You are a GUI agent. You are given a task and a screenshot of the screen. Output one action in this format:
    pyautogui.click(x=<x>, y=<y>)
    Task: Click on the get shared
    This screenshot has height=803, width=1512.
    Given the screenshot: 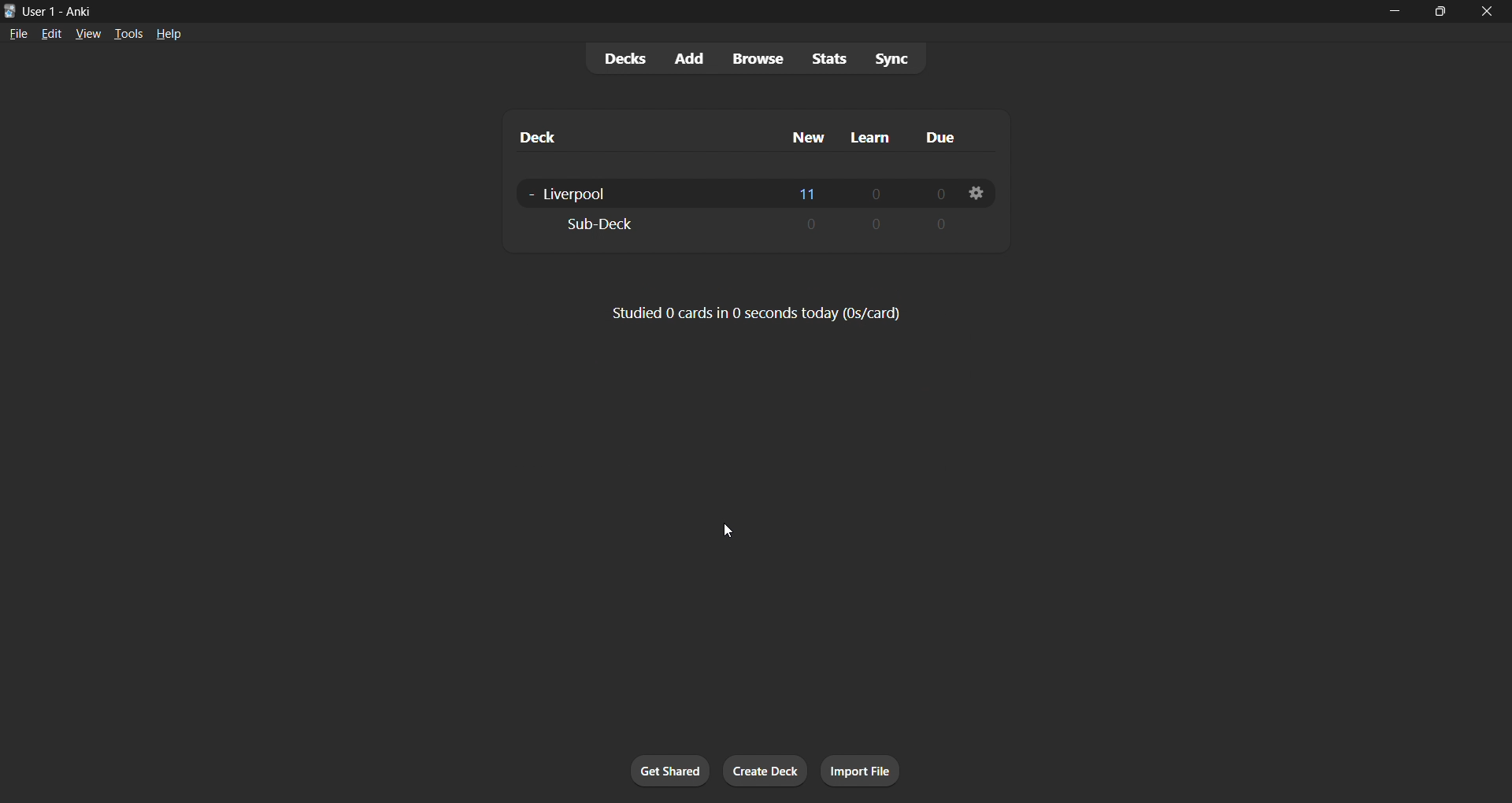 What is the action you would take?
    pyautogui.click(x=663, y=772)
    